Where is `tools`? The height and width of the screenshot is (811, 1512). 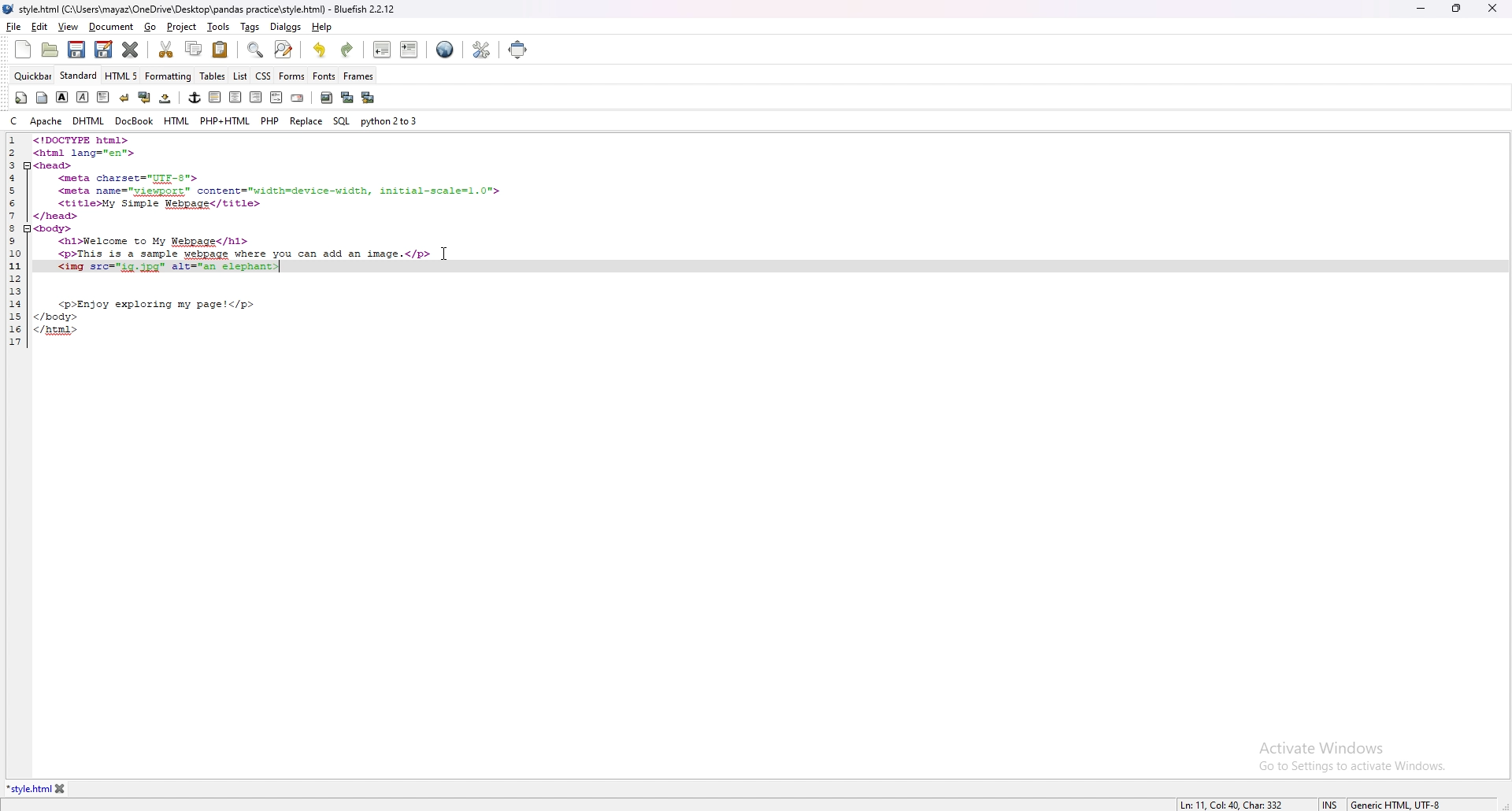
tools is located at coordinates (219, 26).